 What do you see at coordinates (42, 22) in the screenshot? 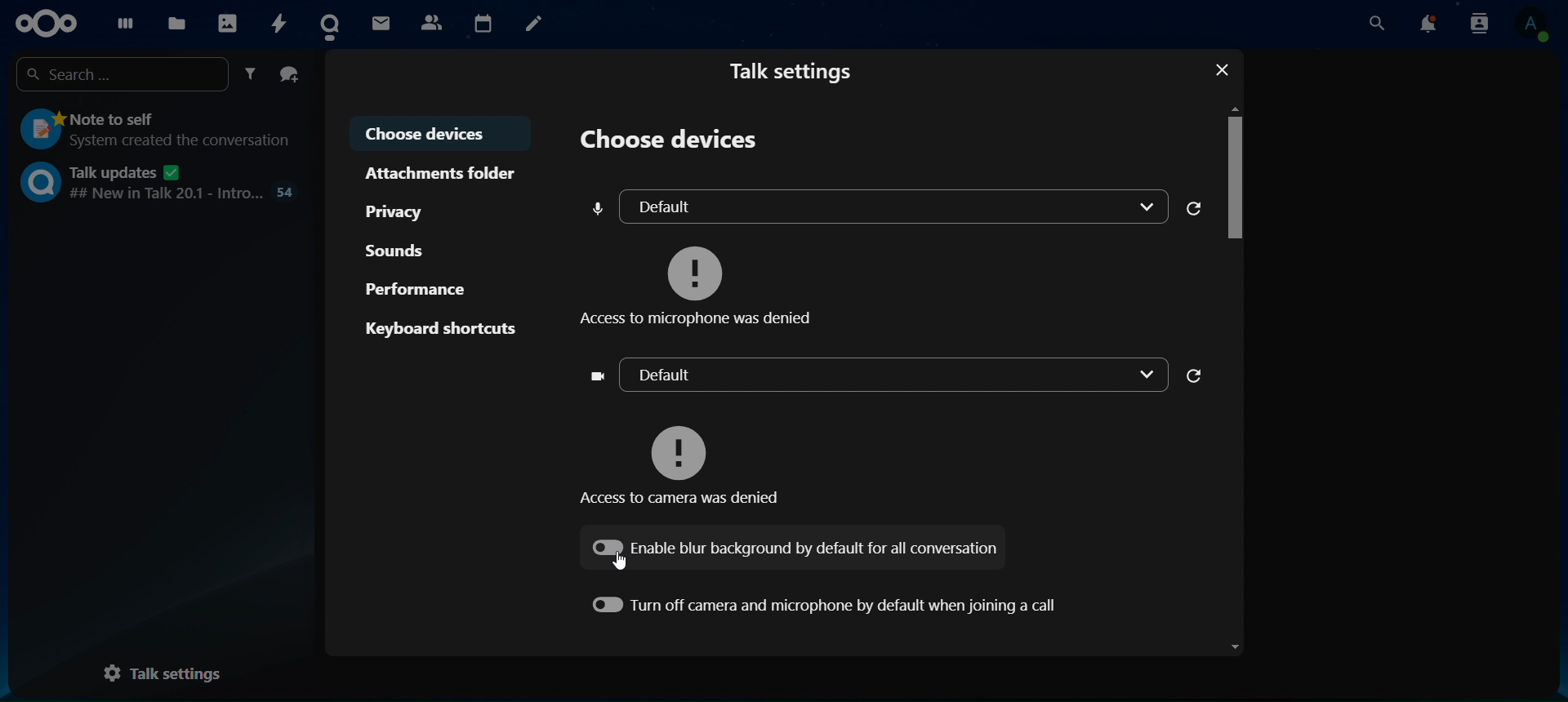
I see `Nextcloud logo` at bounding box center [42, 22].